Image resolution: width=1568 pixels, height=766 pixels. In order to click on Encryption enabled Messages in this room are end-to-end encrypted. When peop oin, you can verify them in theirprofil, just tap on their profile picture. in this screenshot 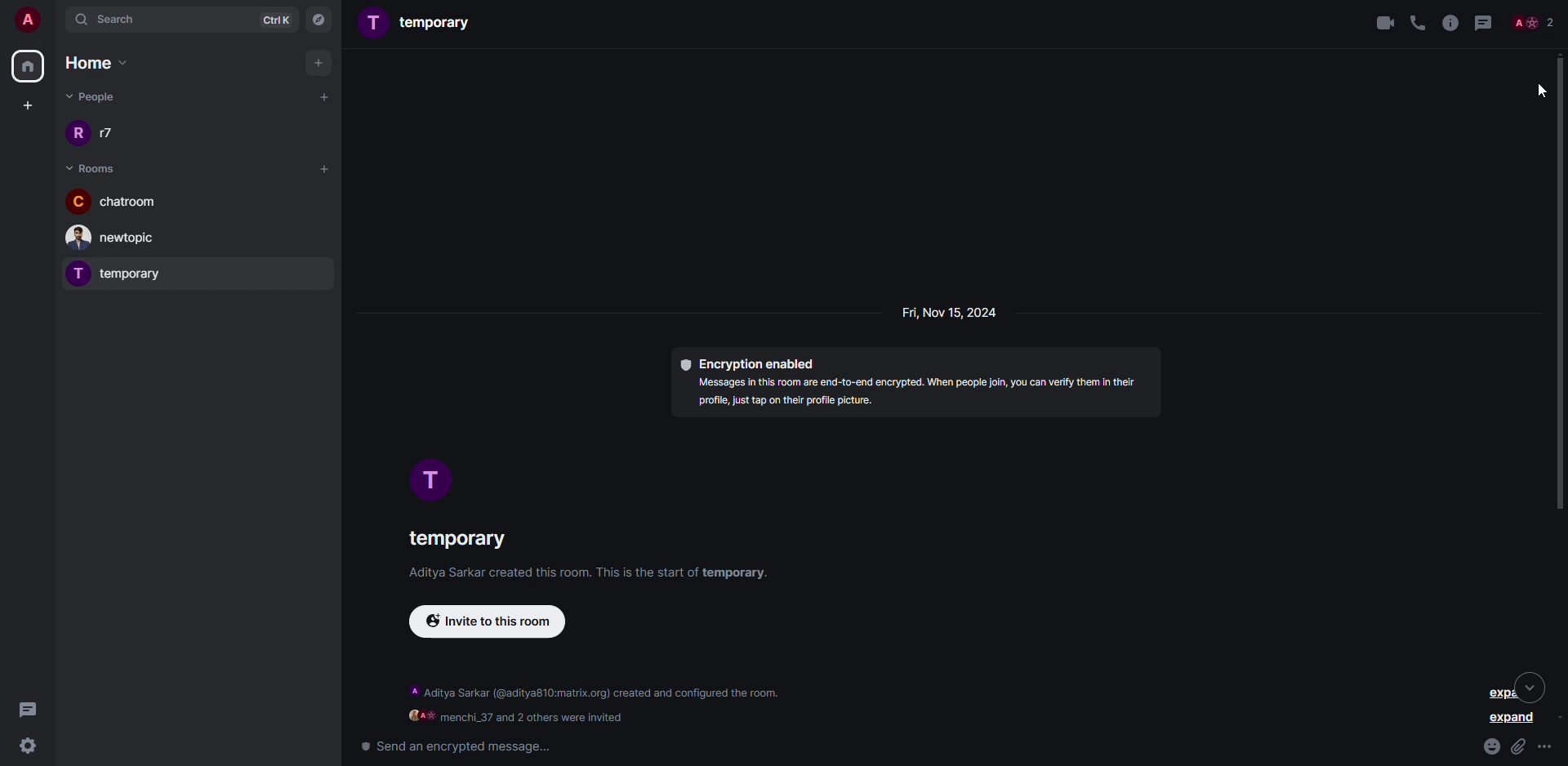, I will do `click(906, 386)`.